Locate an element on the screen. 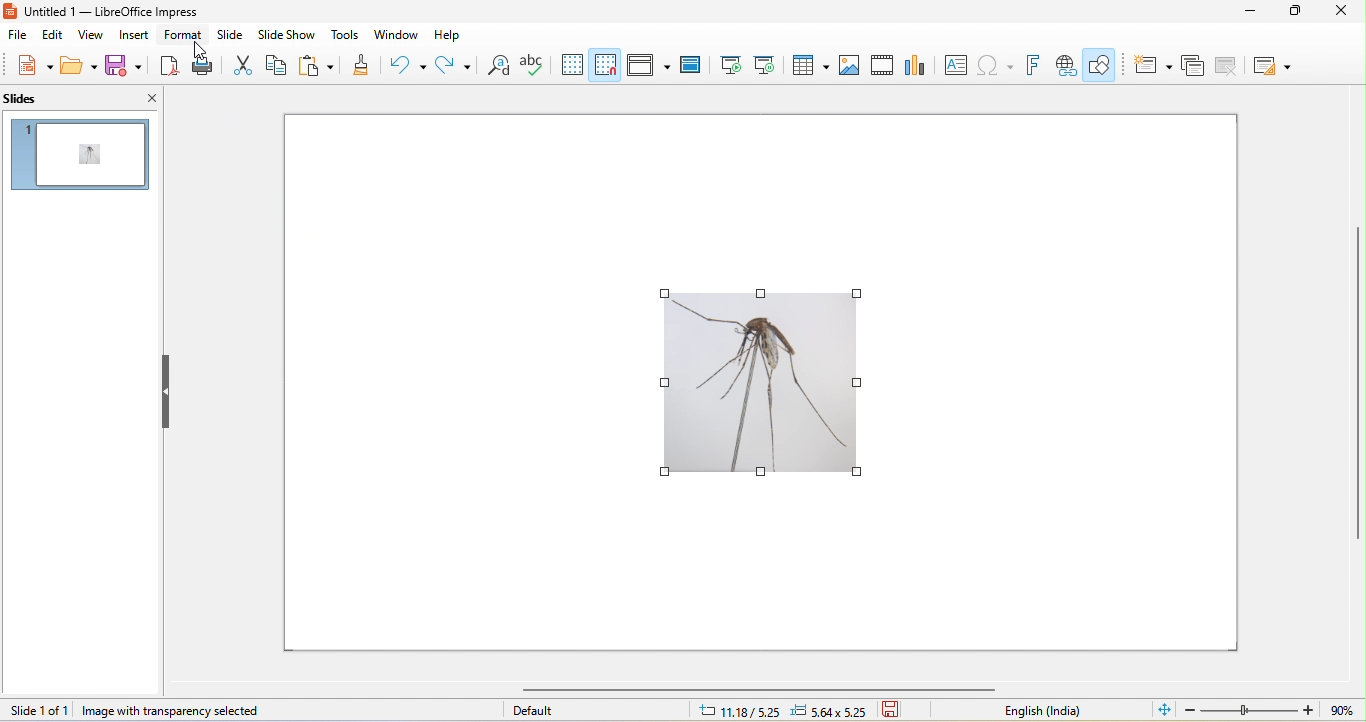 The width and height of the screenshot is (1366, 722). master slide is located at coordinates (690, 64).